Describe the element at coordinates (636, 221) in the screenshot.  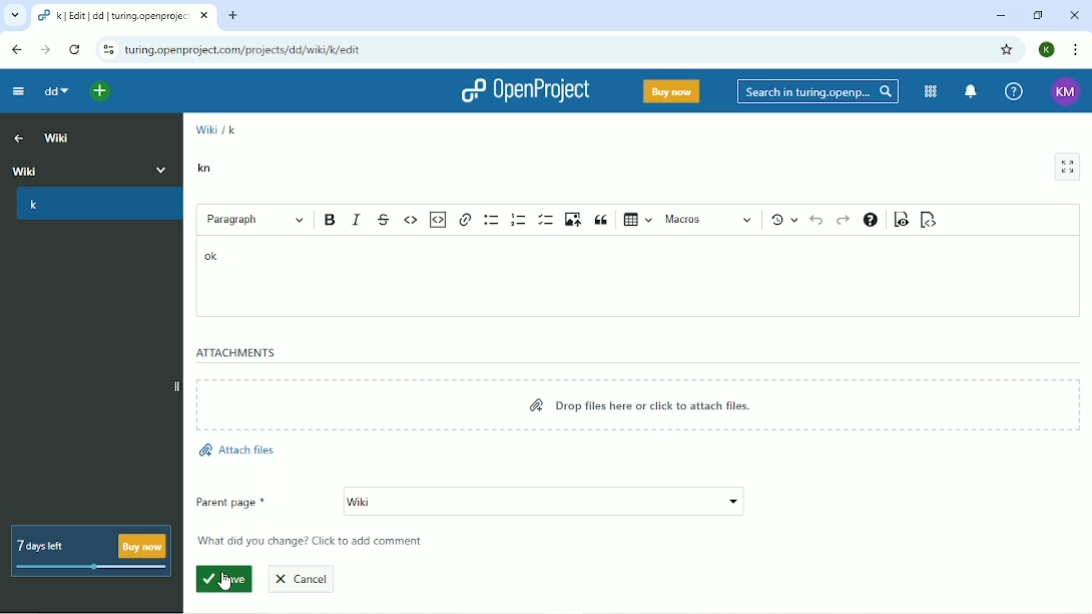
I see `Insert table` at that location.